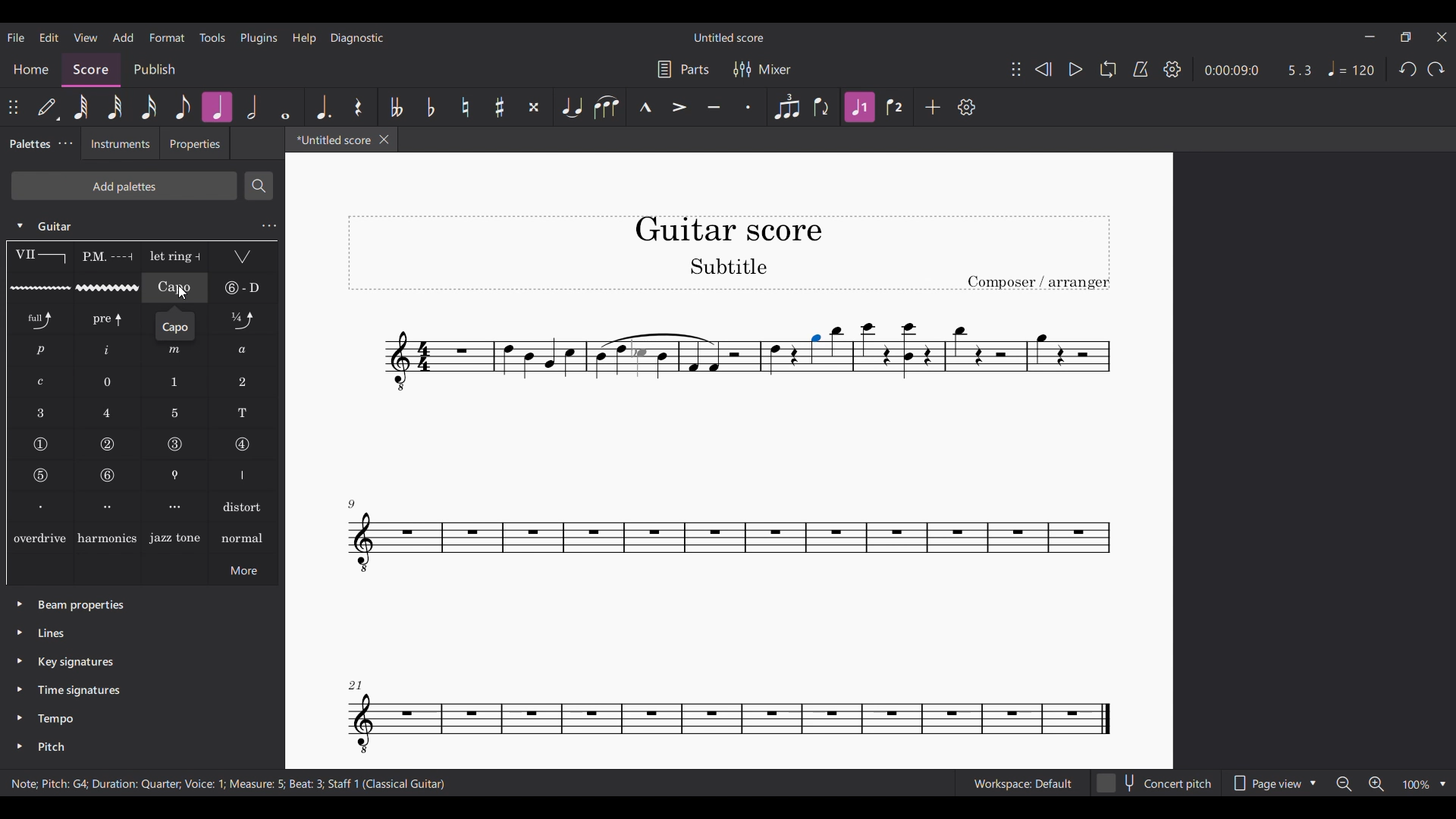 The image size is (1456, 819). Describe the element at coordinates (120, 143) in the screenshot. I see `Instruments tab` at that location.